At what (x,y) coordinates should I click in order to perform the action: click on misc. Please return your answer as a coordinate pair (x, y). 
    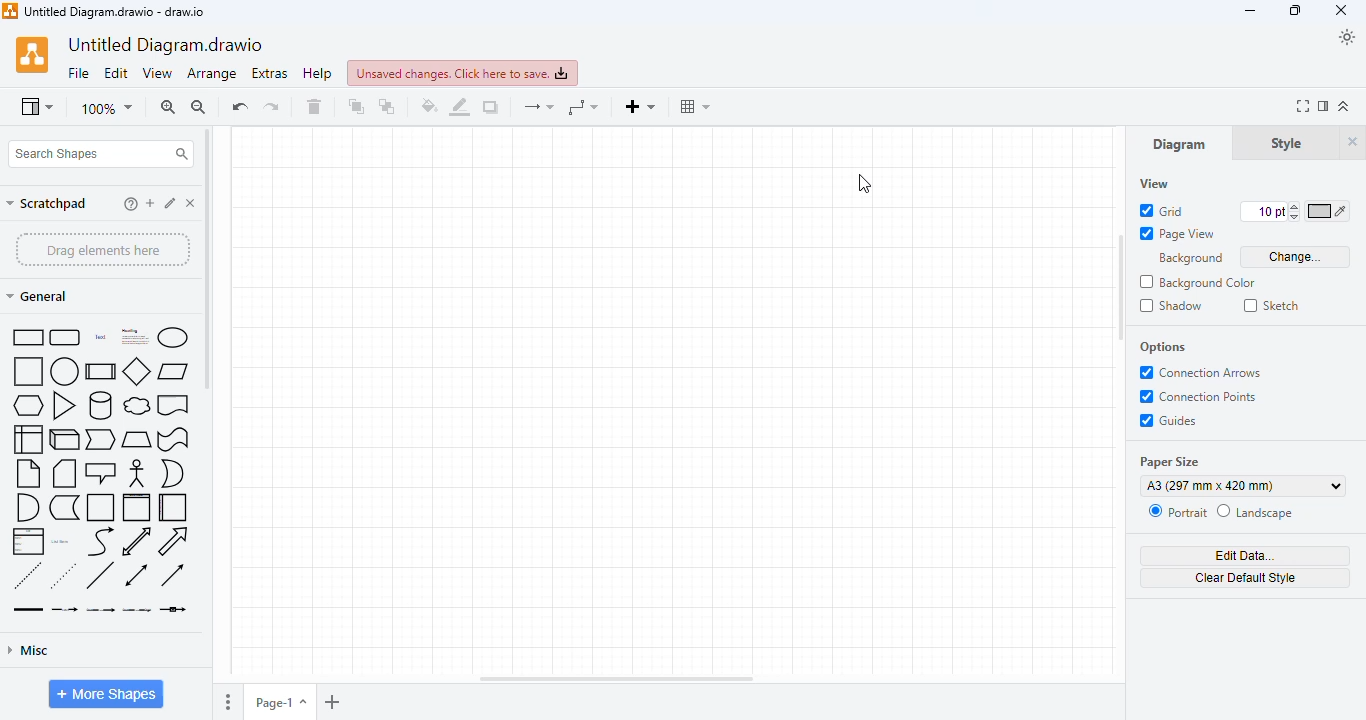
    Looking at the image, I should click on (29, 651).